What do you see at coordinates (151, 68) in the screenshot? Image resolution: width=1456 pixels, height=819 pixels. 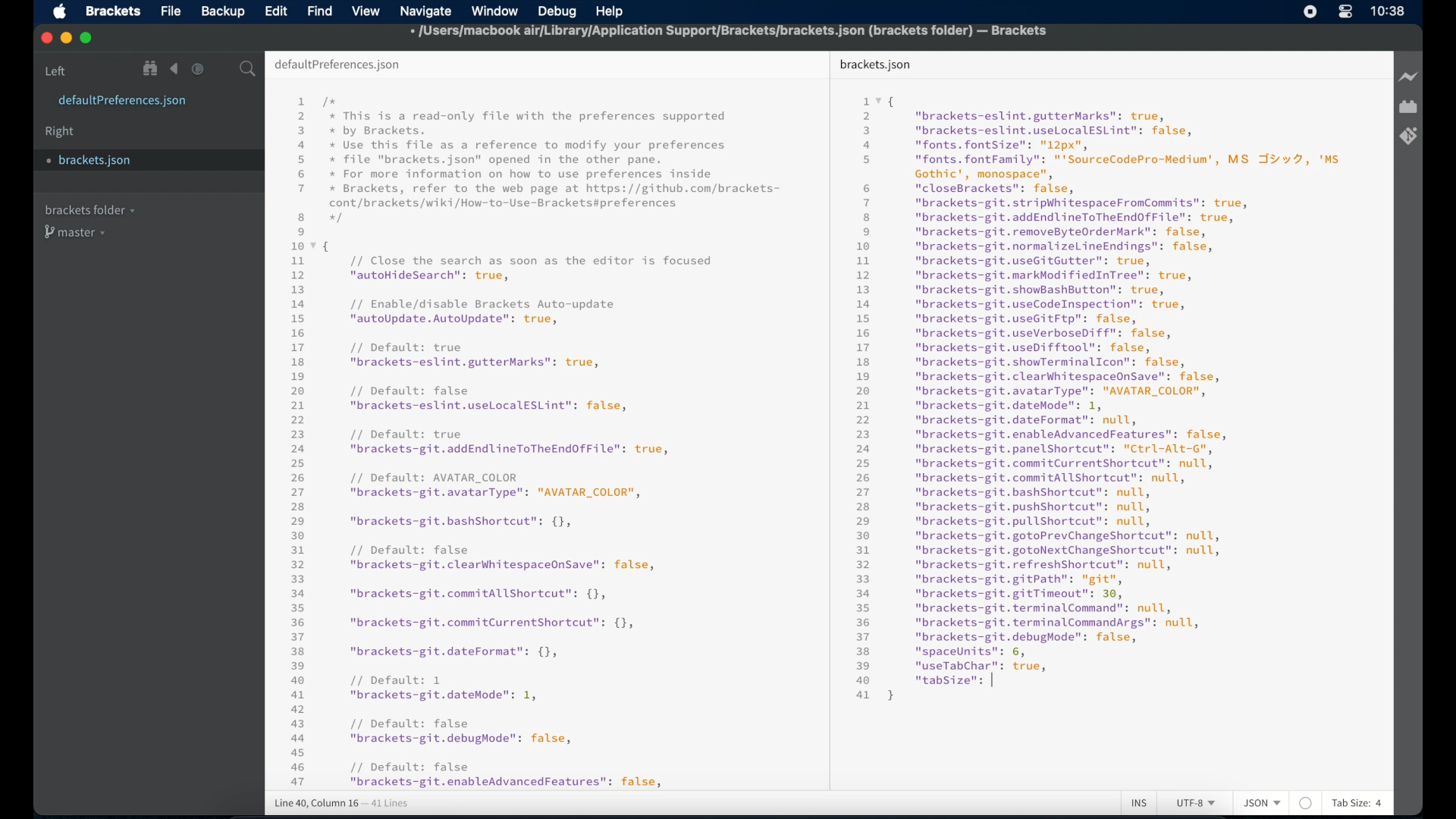 I see `show file in  tree` at bounding box center [151, 68].